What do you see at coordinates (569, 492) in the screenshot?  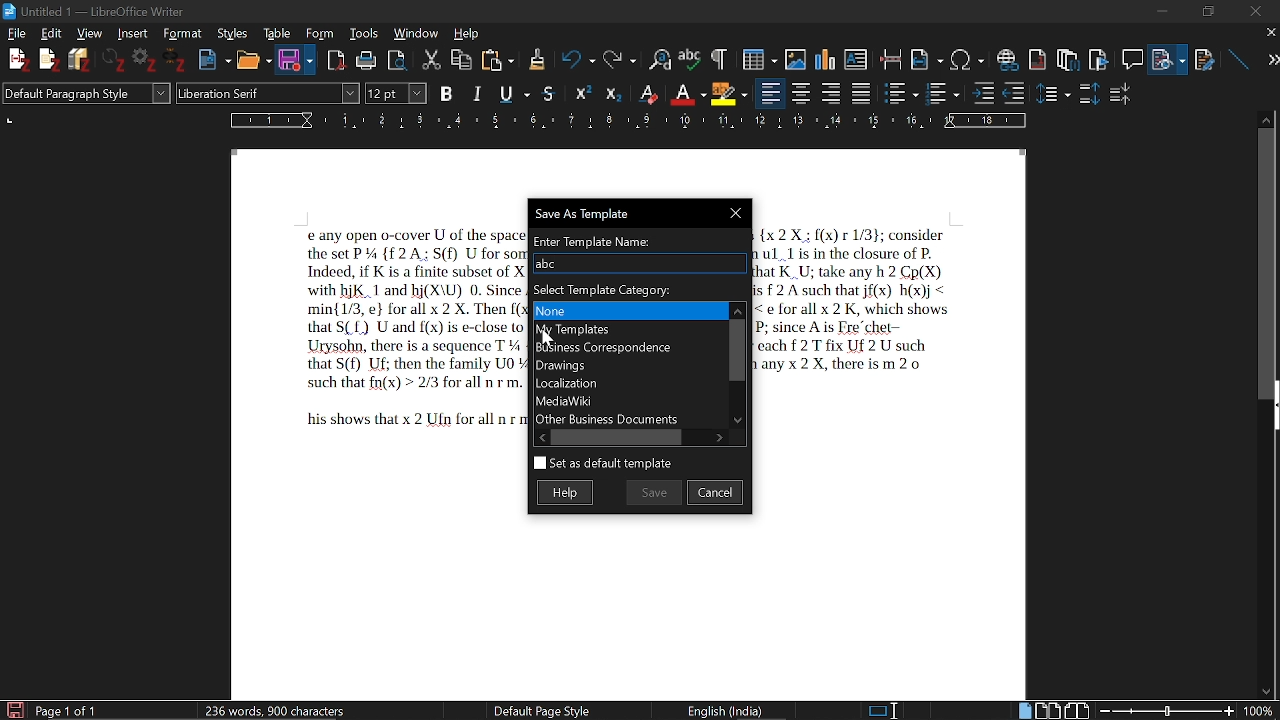 I see `Help` at bounding box center [569, 492].